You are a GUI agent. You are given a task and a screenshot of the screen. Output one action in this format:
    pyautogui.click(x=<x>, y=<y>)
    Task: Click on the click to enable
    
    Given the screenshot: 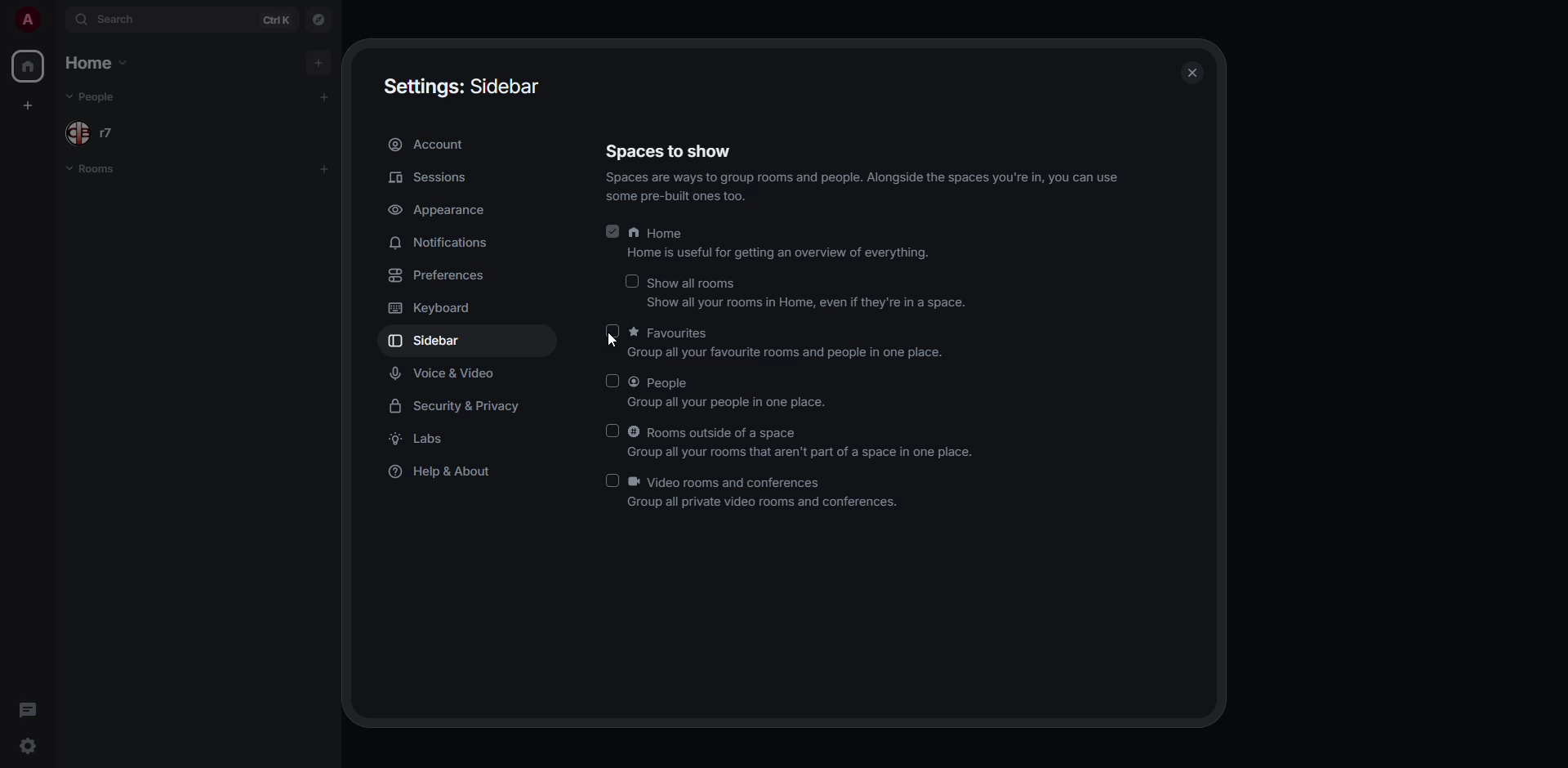 What is the action you would take?
    pyautogui.click(x=632, y=281)
    